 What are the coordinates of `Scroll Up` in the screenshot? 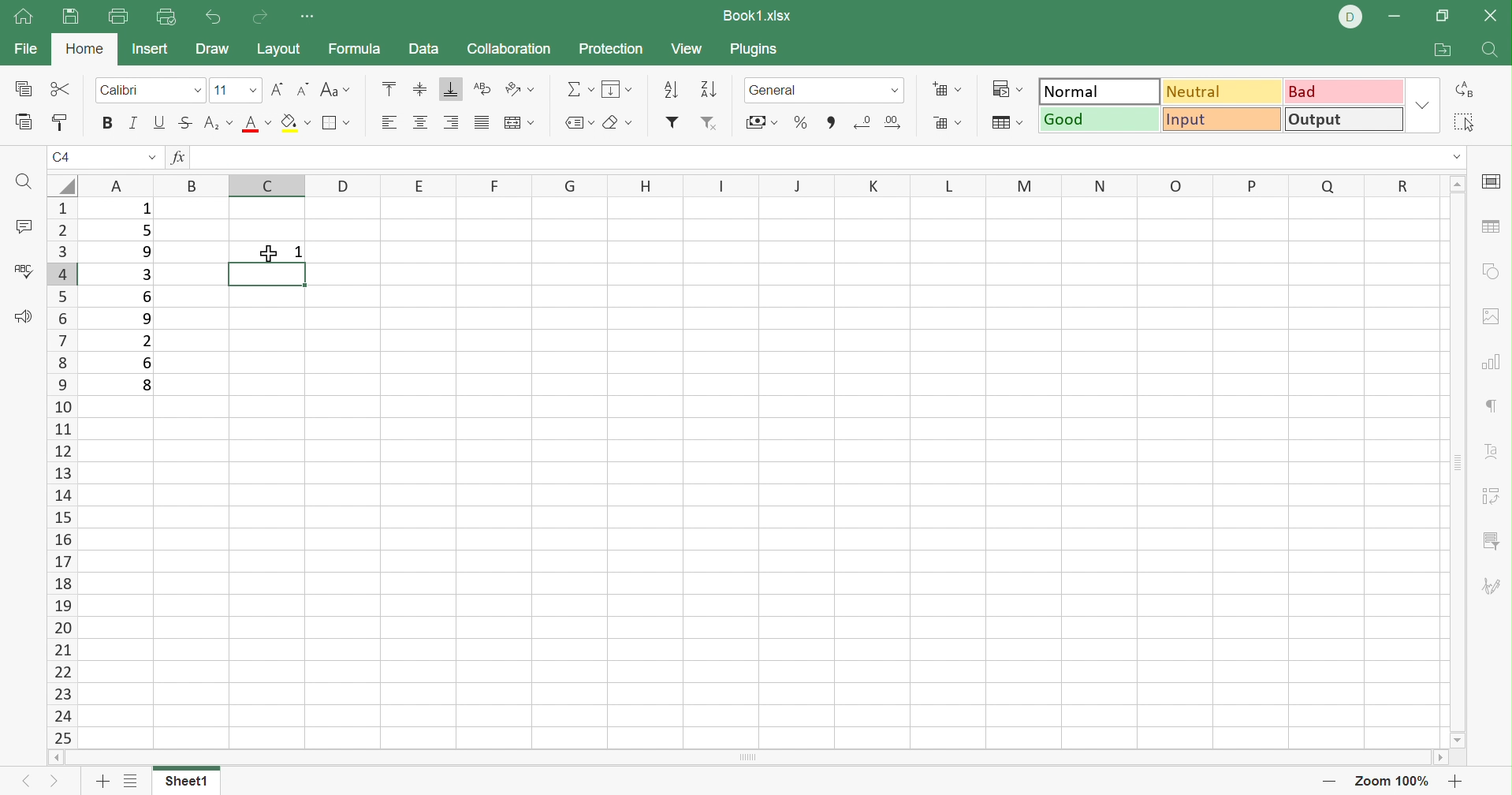 It's located at (1458, 185).